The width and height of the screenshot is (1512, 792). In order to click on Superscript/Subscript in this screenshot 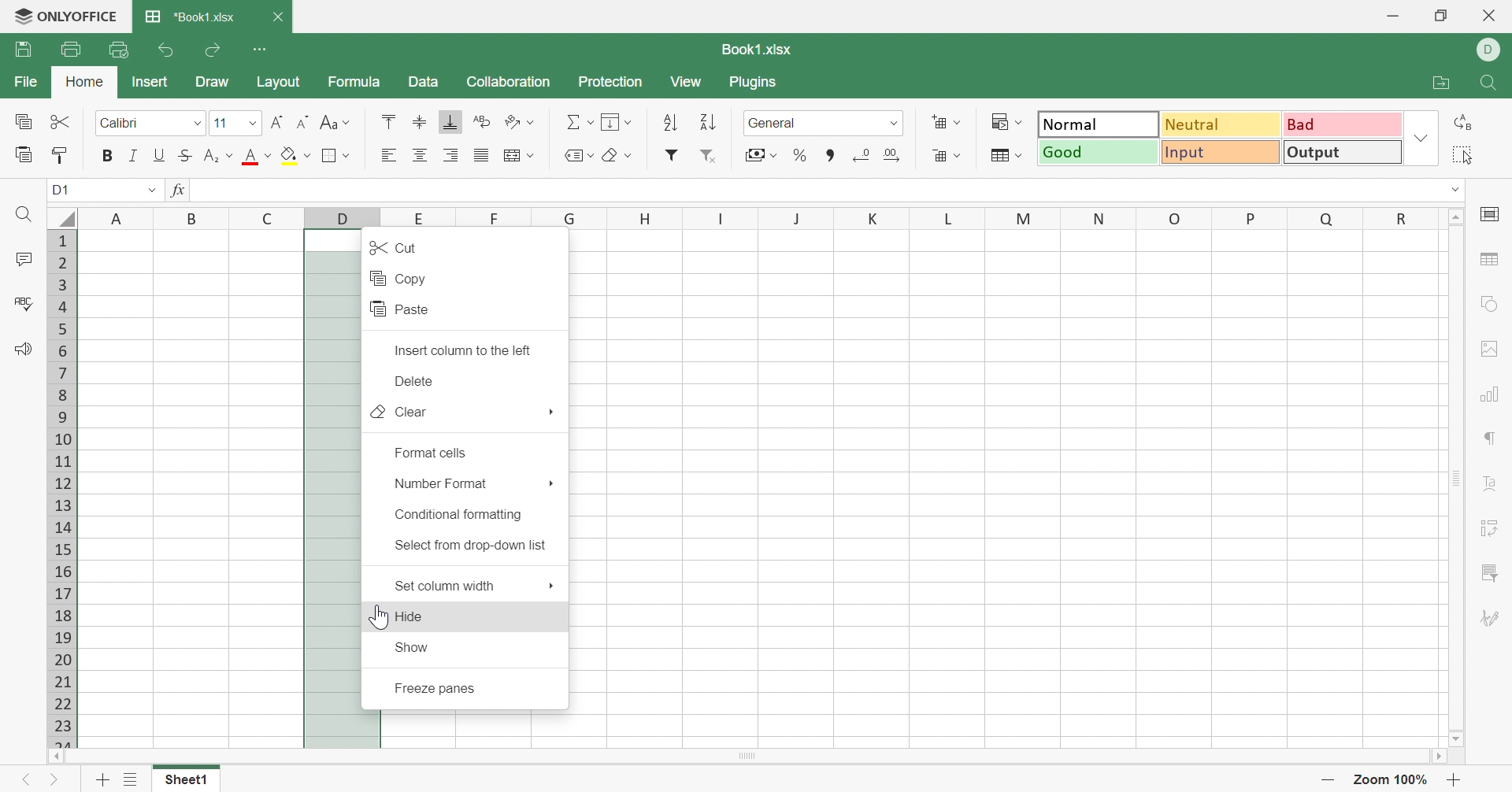, I will do `click(212, 156)`.